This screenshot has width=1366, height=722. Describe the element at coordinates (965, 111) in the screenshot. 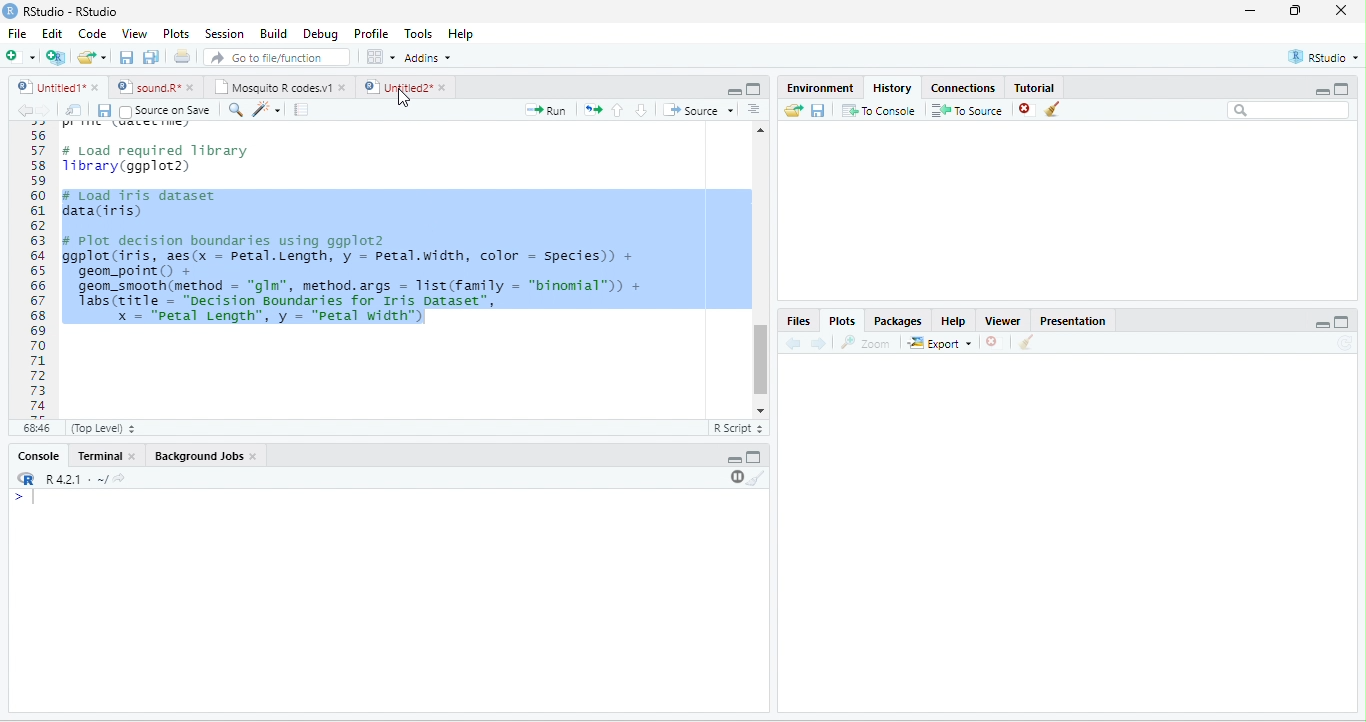

I see `To source` at that location.